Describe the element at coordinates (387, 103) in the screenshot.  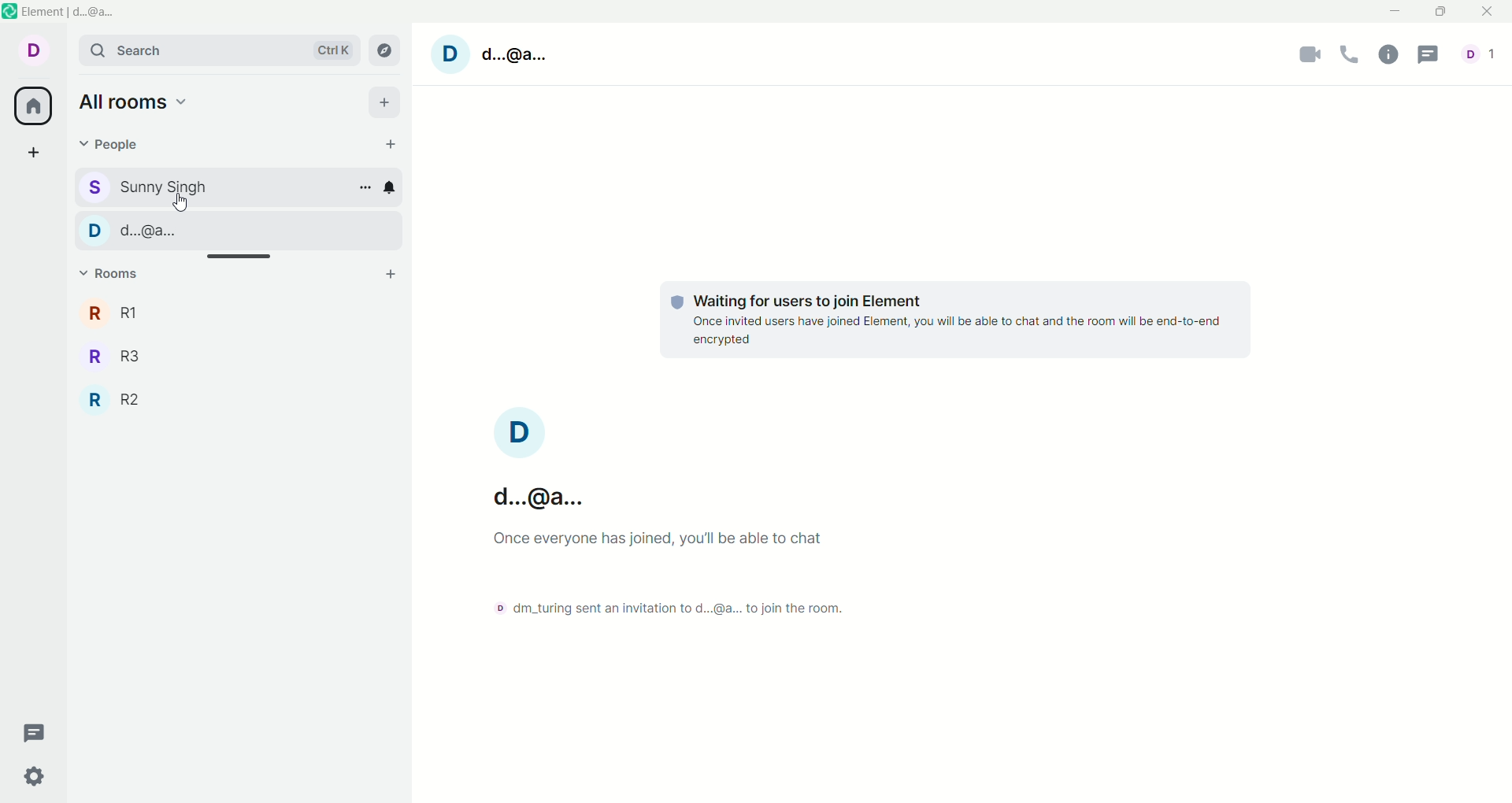
I see `add` at that location.